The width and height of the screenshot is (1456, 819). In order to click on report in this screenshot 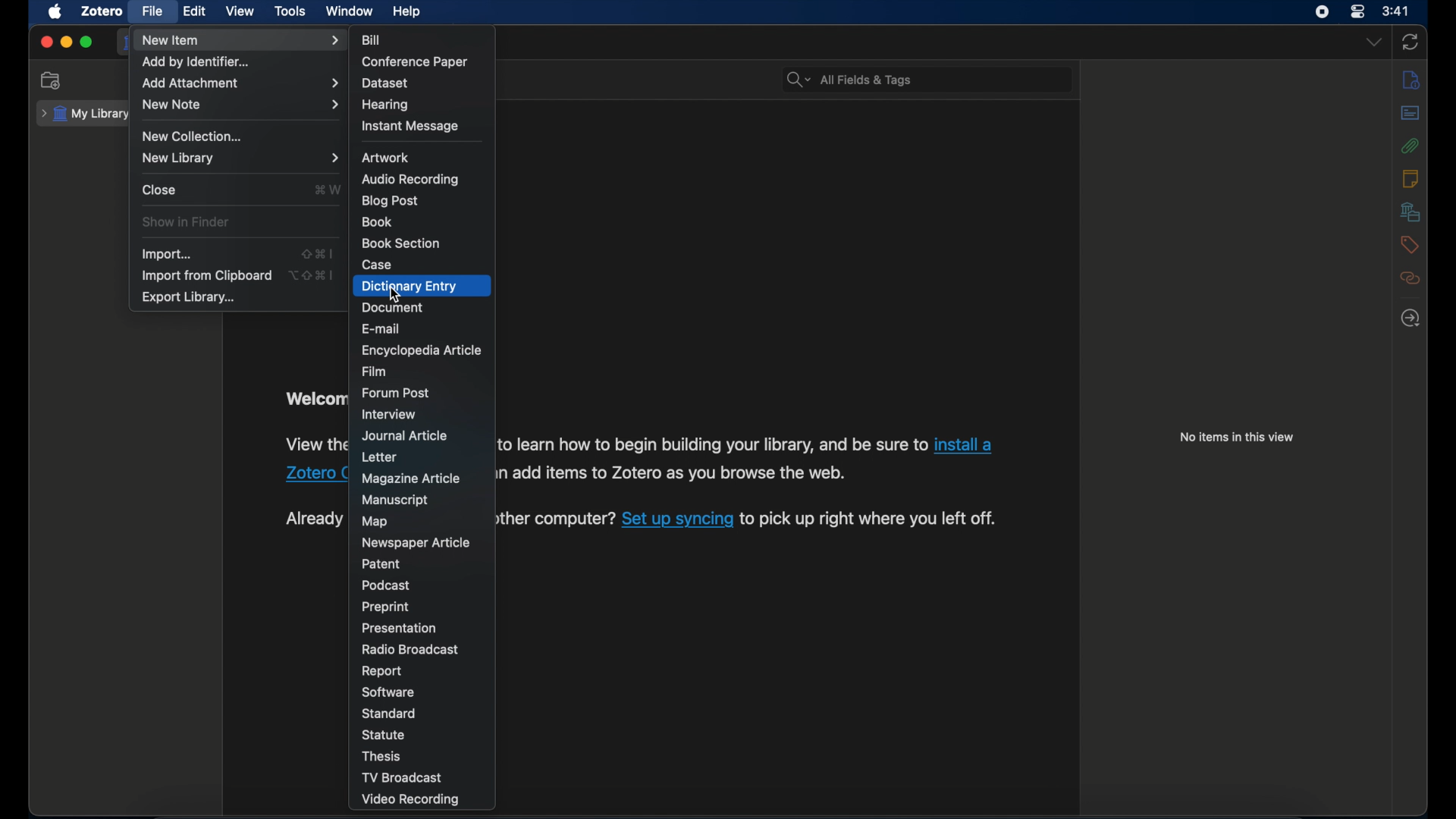, I will do `click(381, 672)`.